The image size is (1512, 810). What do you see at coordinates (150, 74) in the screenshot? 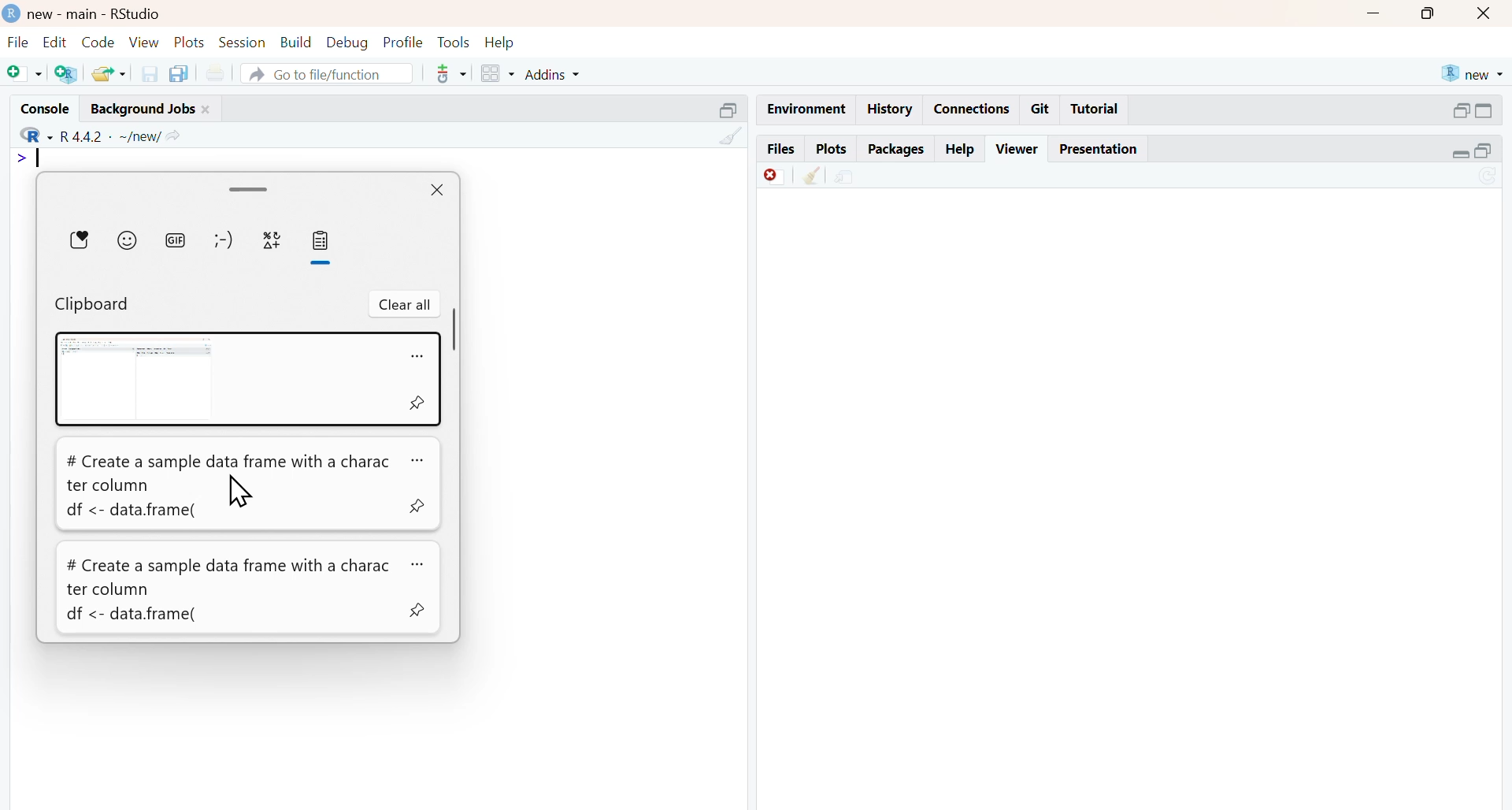
I see `save` at bounding box center [150, 74].